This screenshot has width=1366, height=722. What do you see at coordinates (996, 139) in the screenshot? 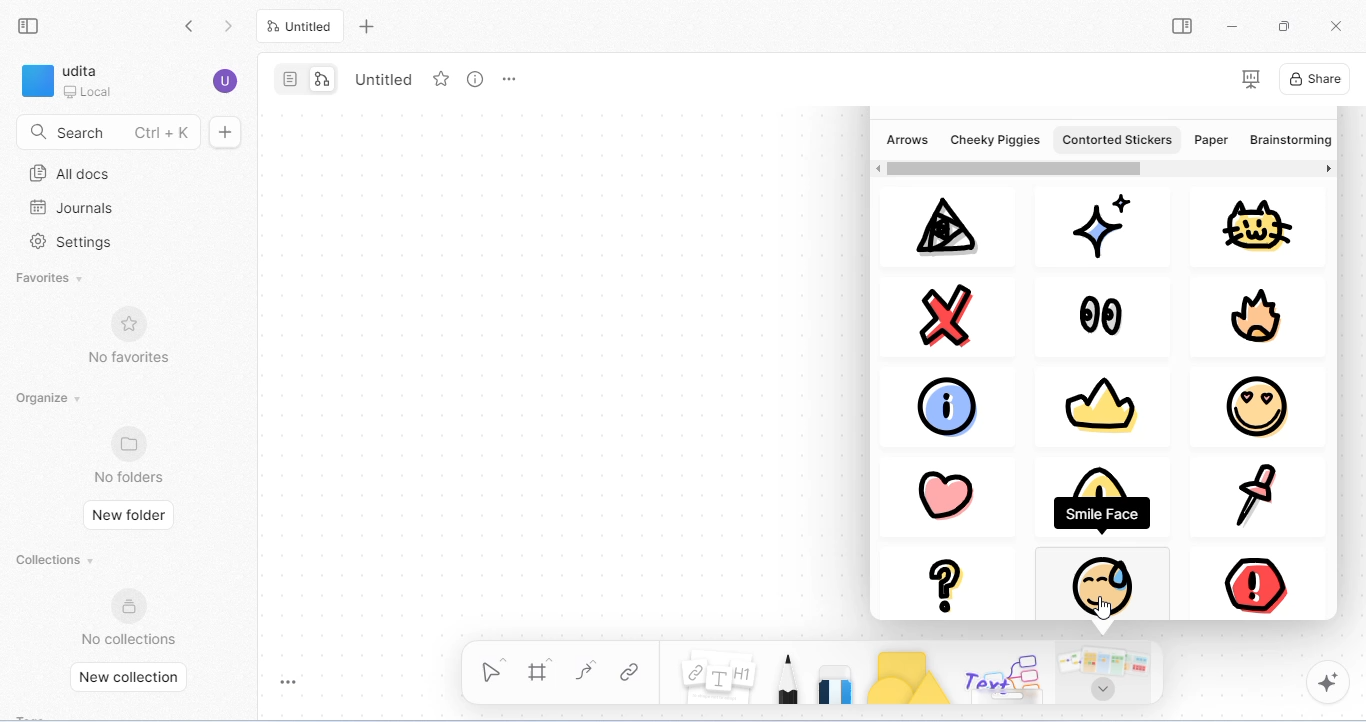
I see `cheeky piggles` at bounding box center [996, 139].